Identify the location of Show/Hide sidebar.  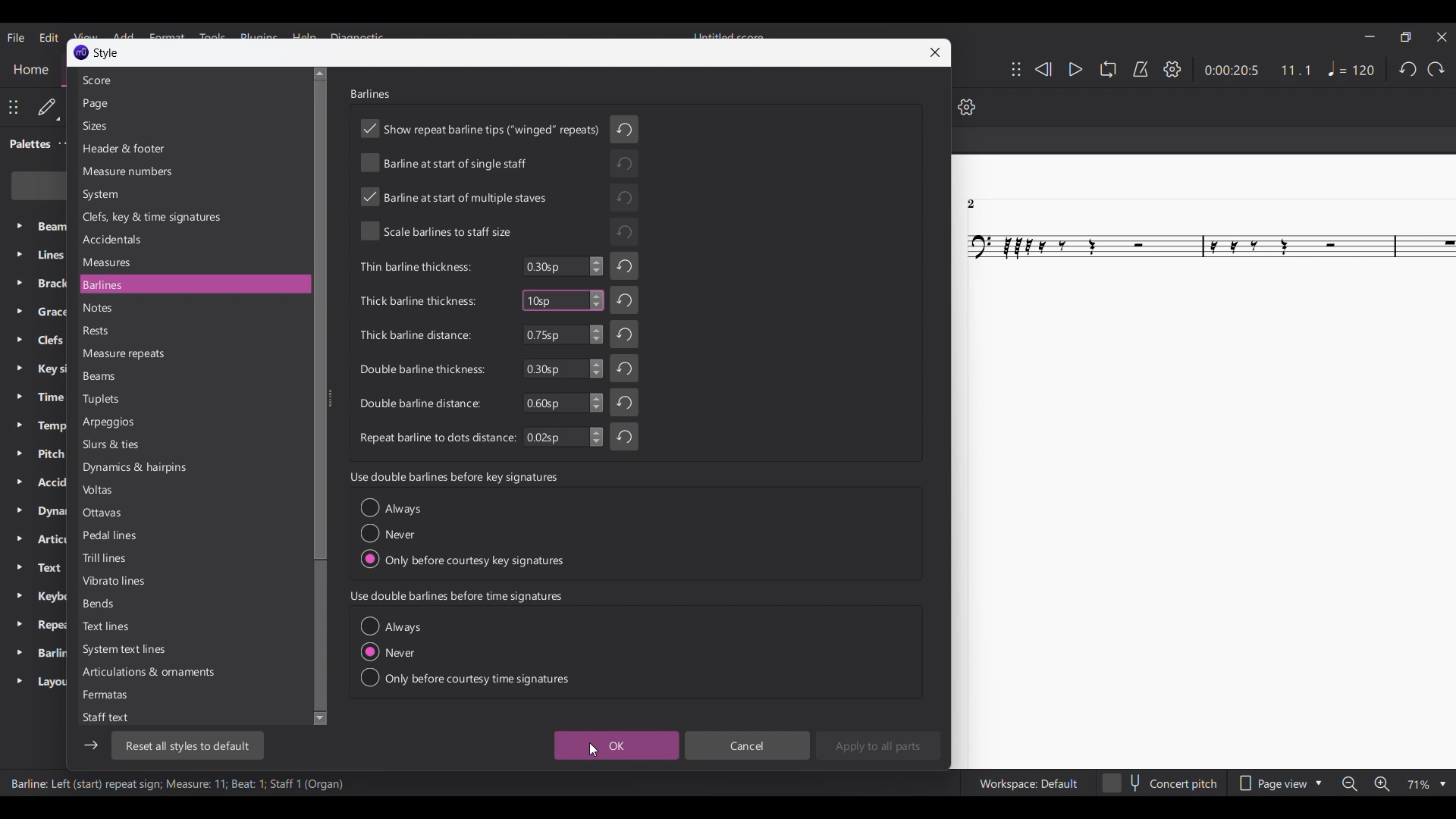
(90, 745).